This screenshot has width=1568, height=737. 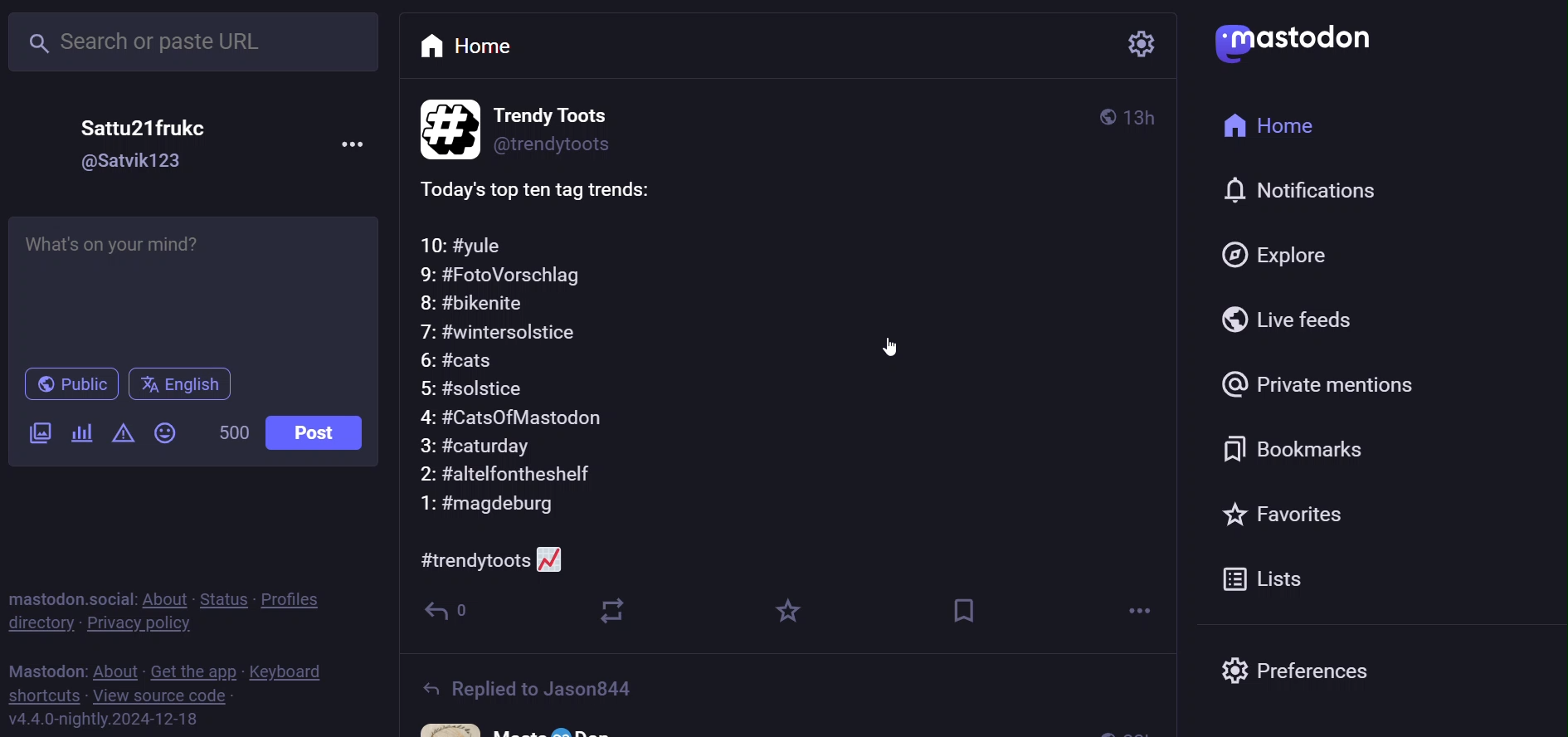 I want to click on Replied to Jason844, so click(x=780, y=689).